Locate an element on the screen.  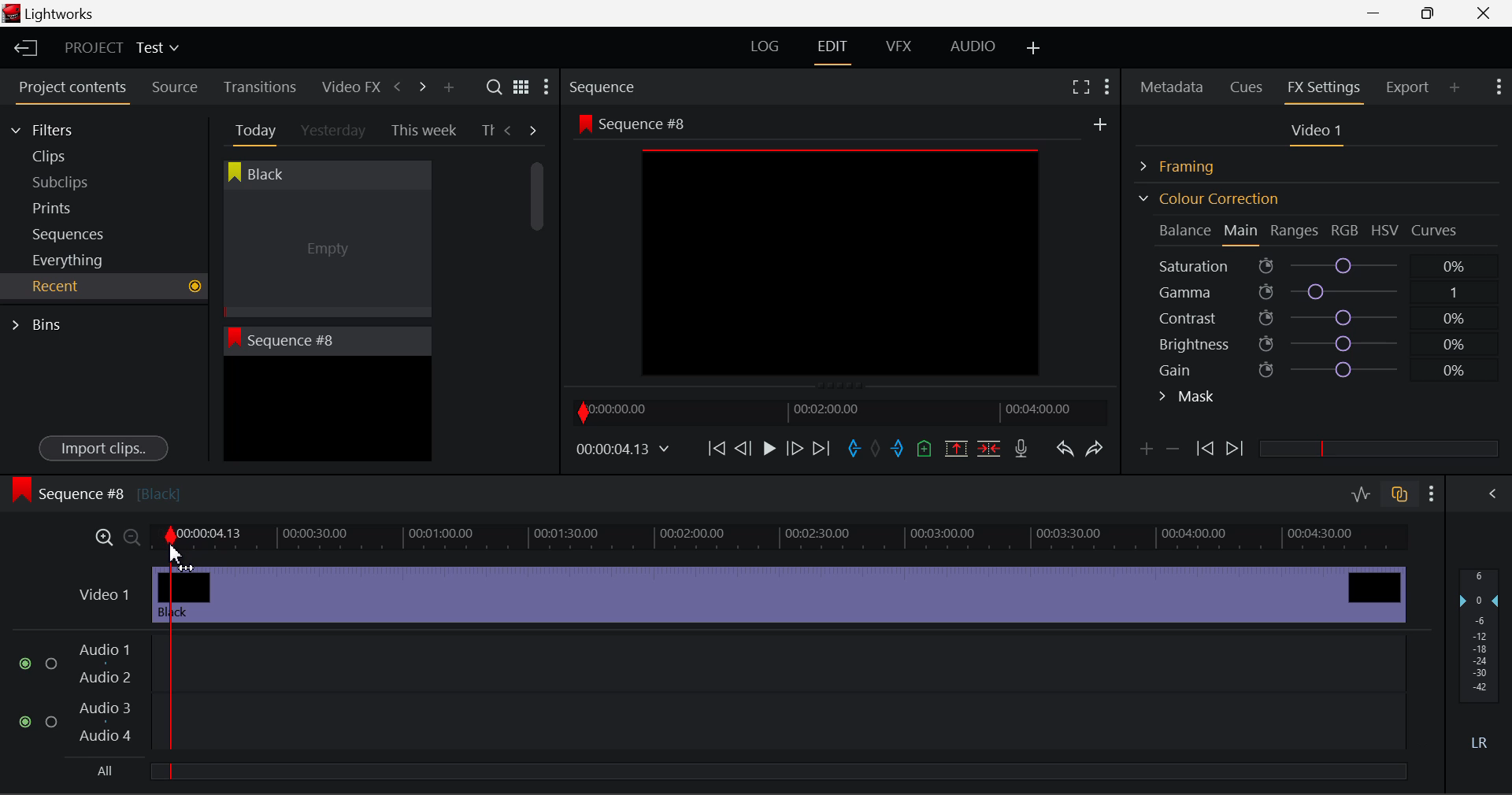
Previous keyframe is located at coordinates (1203, 449).